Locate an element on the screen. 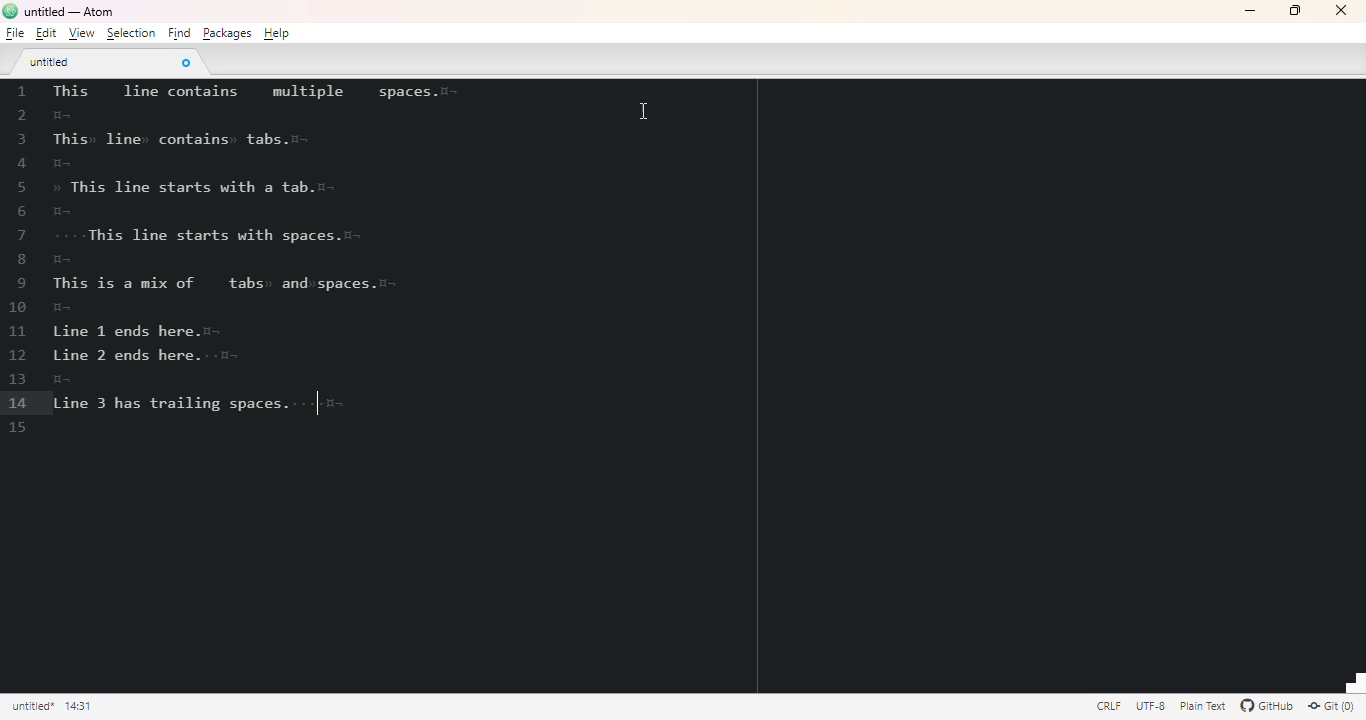 The width and height of the screenshot is (1366, 720). selection is located at coordinates (131, 33).